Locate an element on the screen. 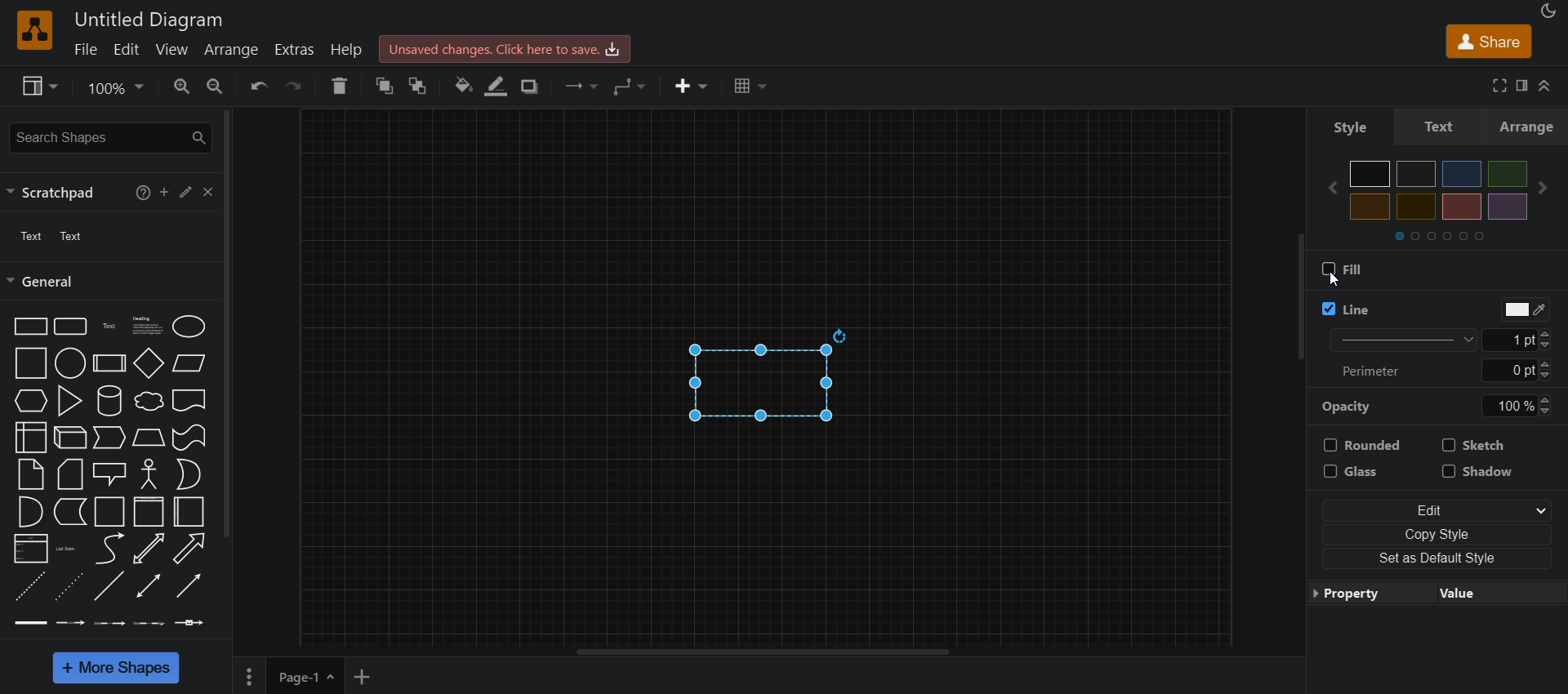 The height and width of the screenshot is (694, 1568). cube is located at coordinates (69, 438).